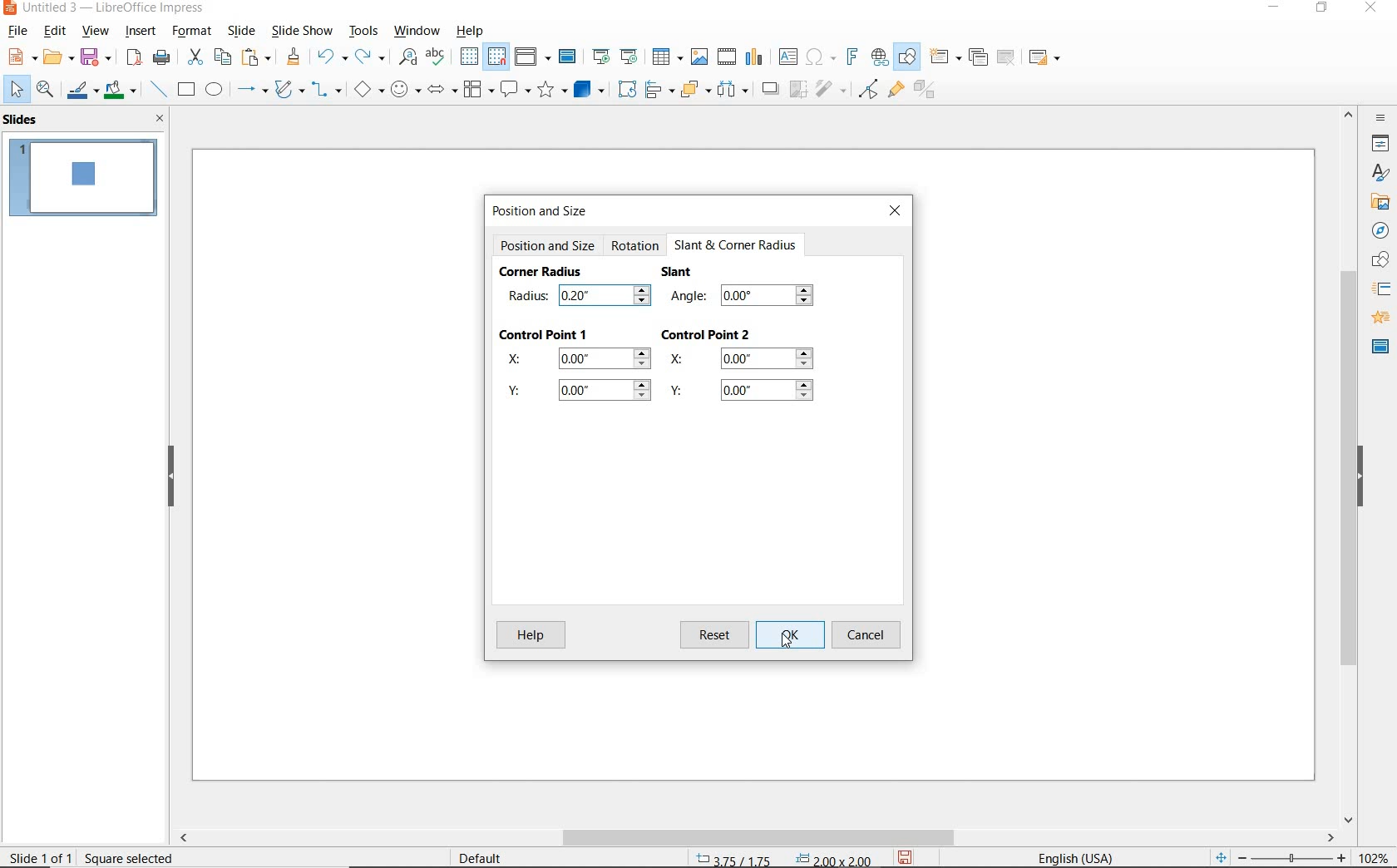  Describe the element at coordinates (630, 57) in the screenshot. I see `start from current slide` at that location.